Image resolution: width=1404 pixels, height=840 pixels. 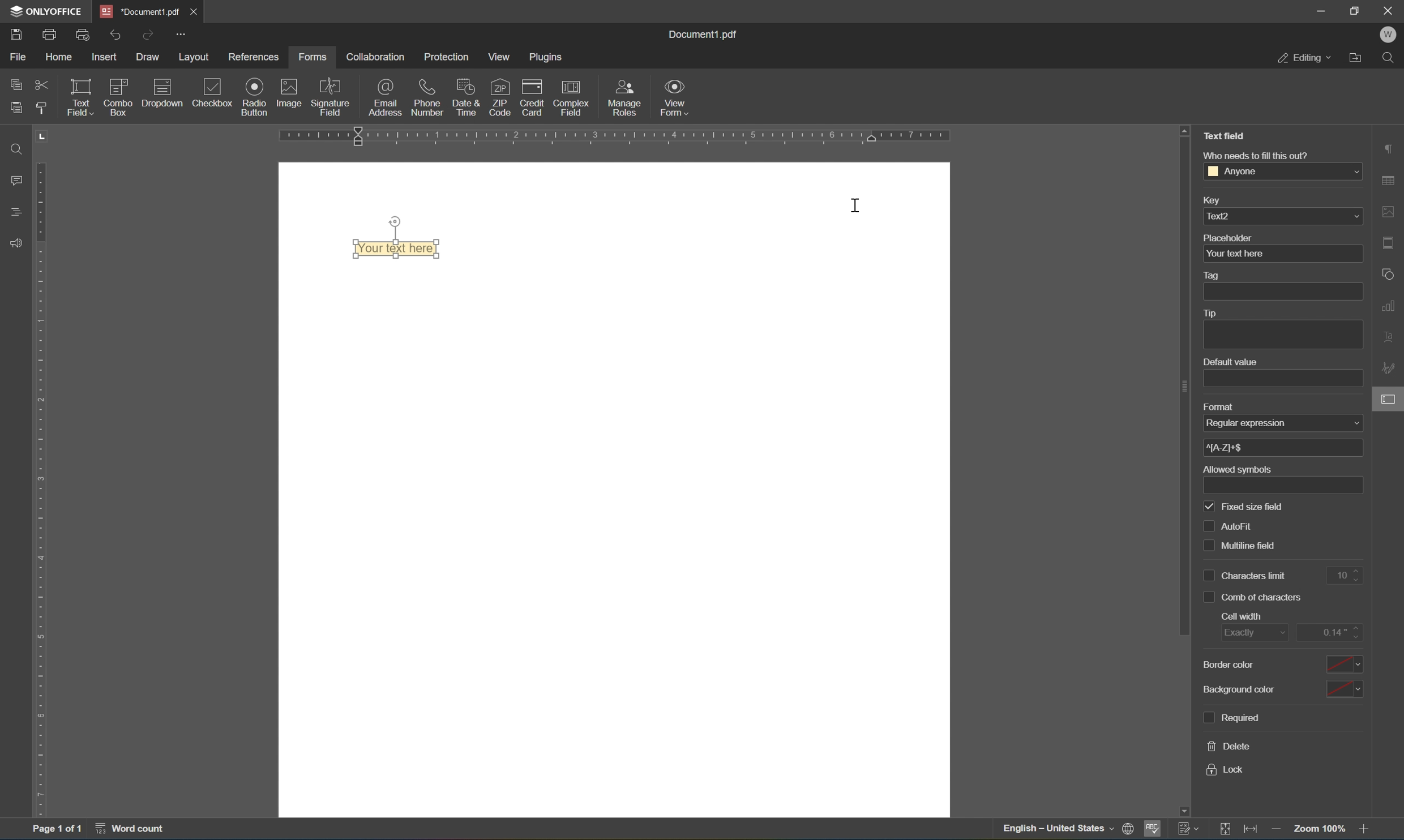 I want to click on collaboration, so click(x=378, y=58).